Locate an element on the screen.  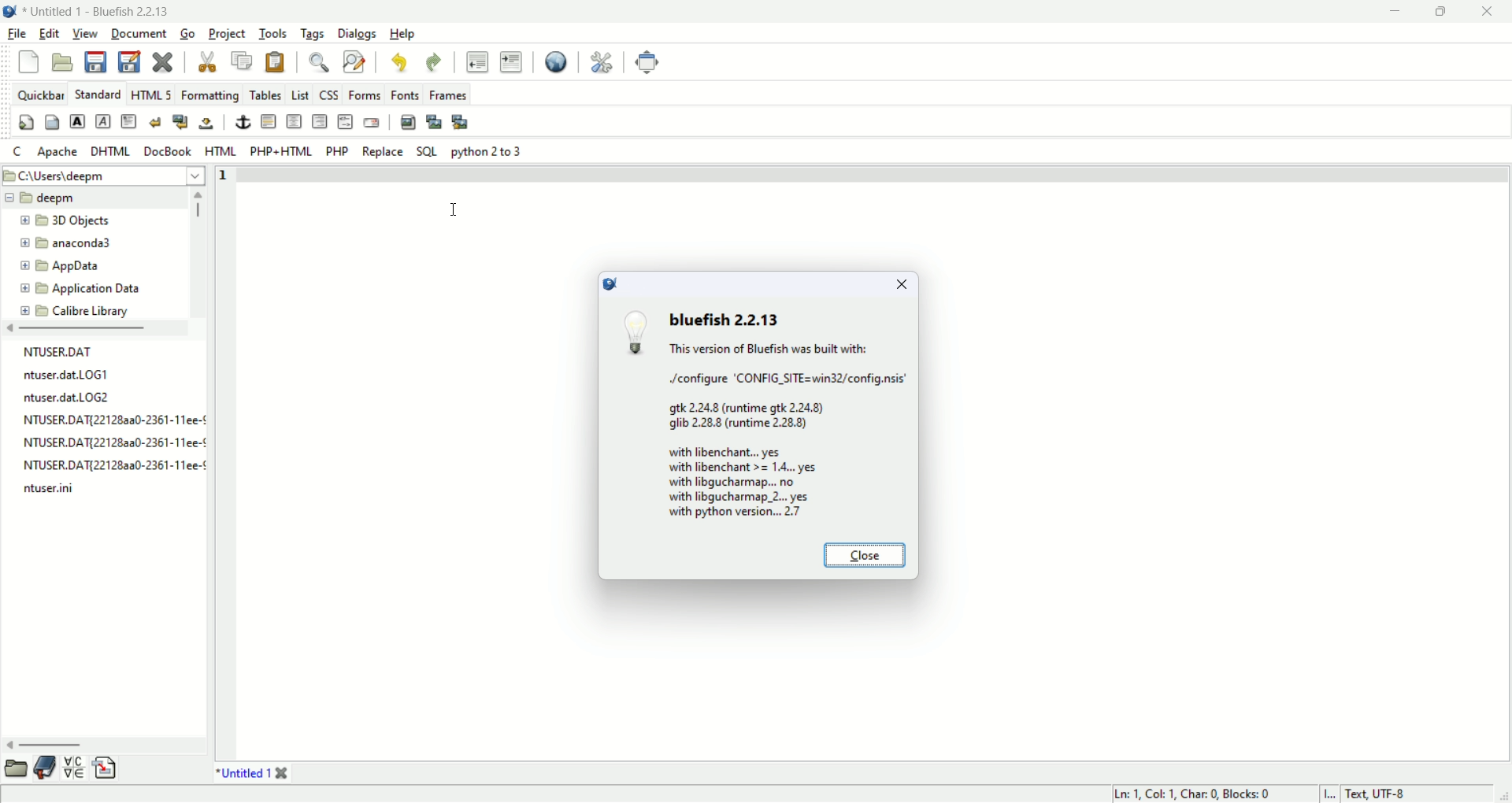
unindent is located at coordinates (475, 63).